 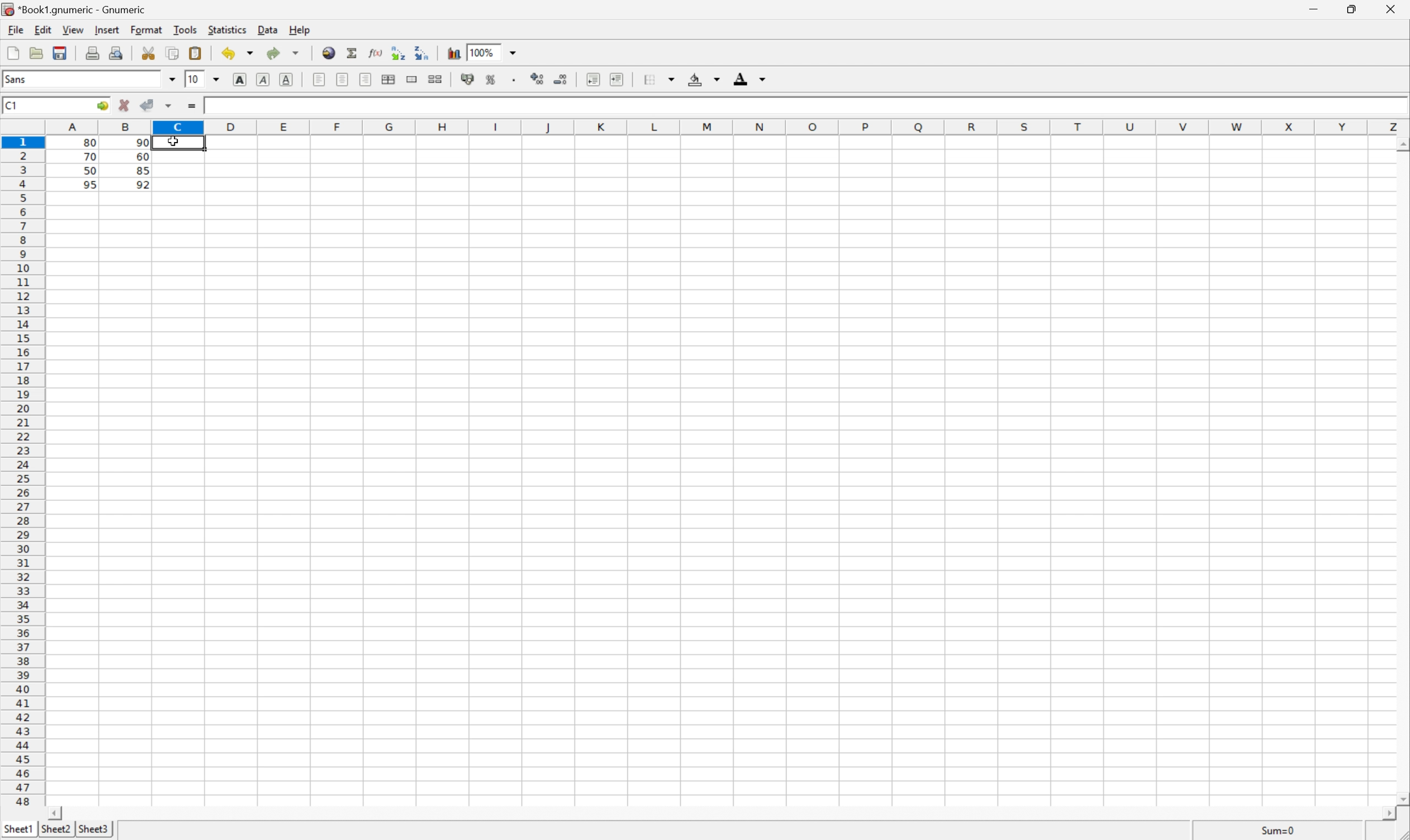 What do you see at coordinates (59, 52) in the screenshot?
I see `Save the current file` at bounding box center [59, 52].